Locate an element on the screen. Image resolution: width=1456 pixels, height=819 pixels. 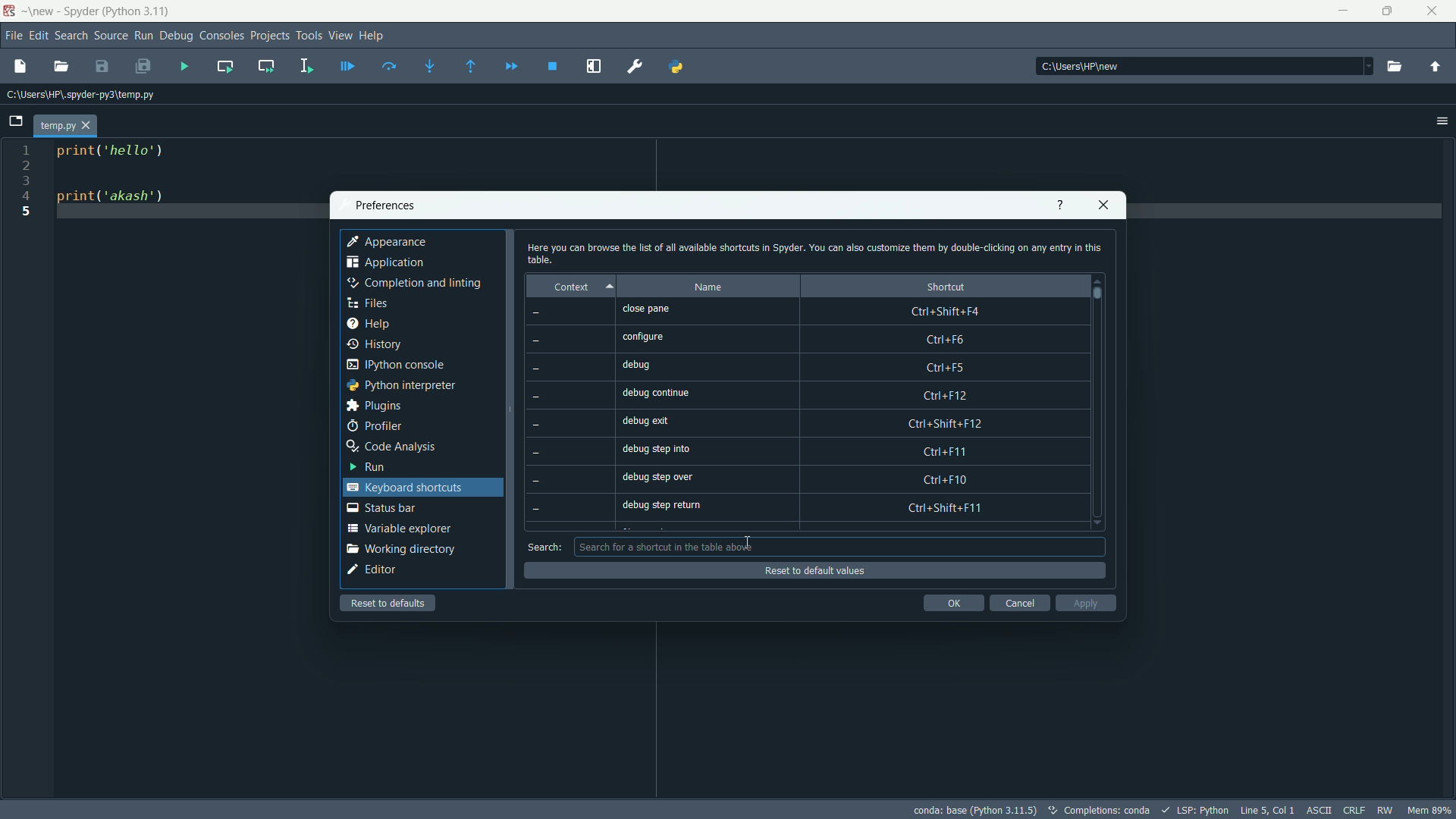
continue execution untill next break point is located at coordinates (509, 65).